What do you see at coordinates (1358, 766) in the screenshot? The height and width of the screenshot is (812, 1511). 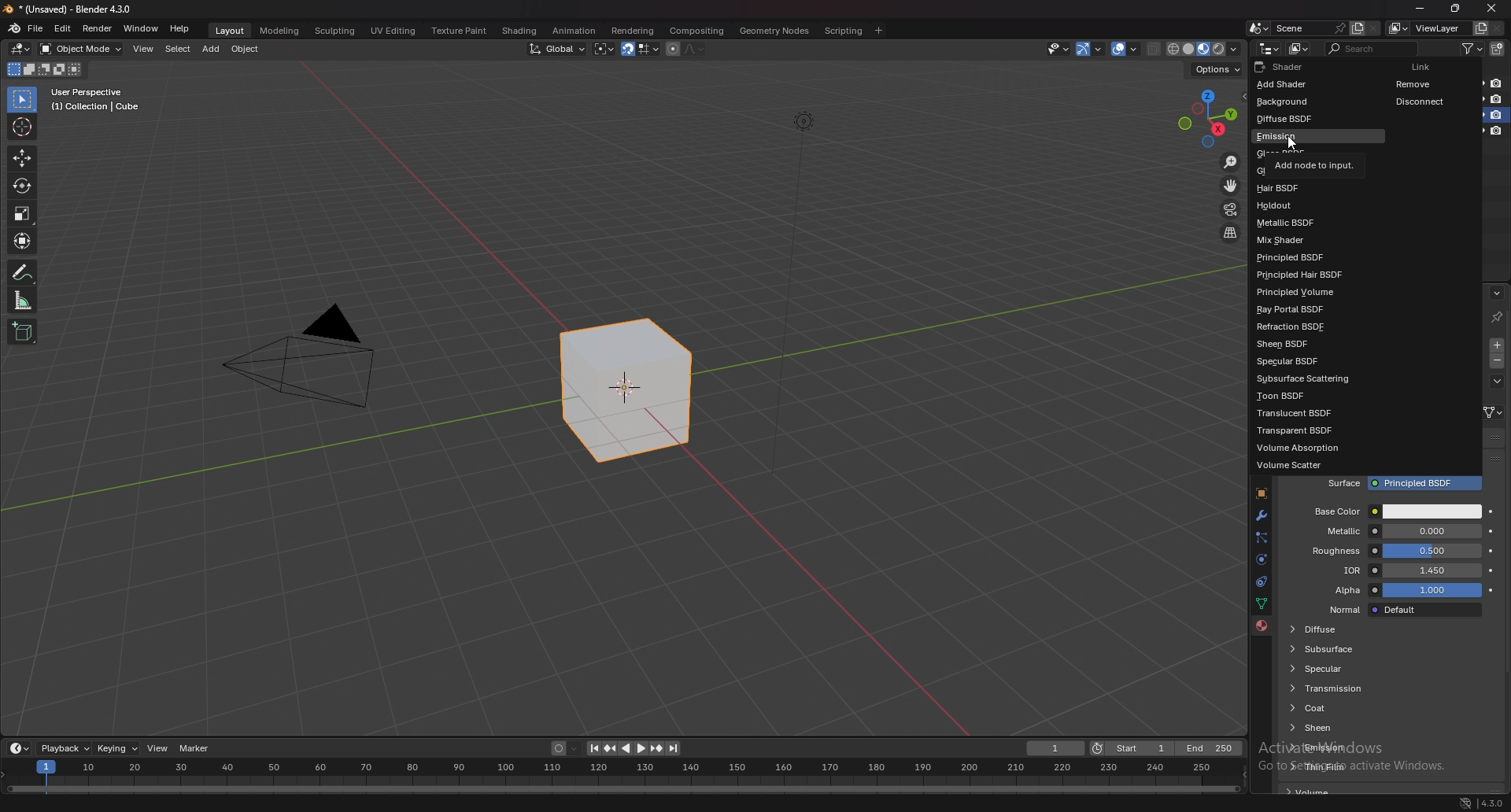 I see `thin film` at bounding box center [1358, 766].